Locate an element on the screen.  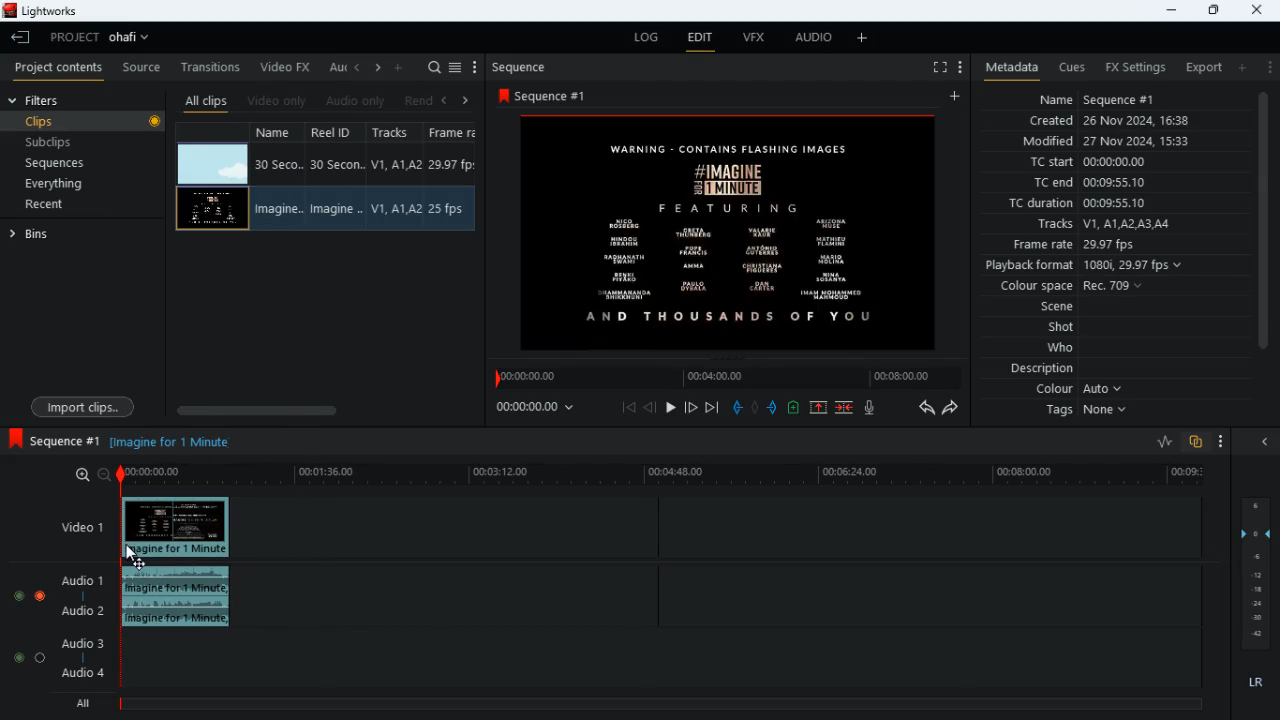
log is located at coordinates (650, 38).